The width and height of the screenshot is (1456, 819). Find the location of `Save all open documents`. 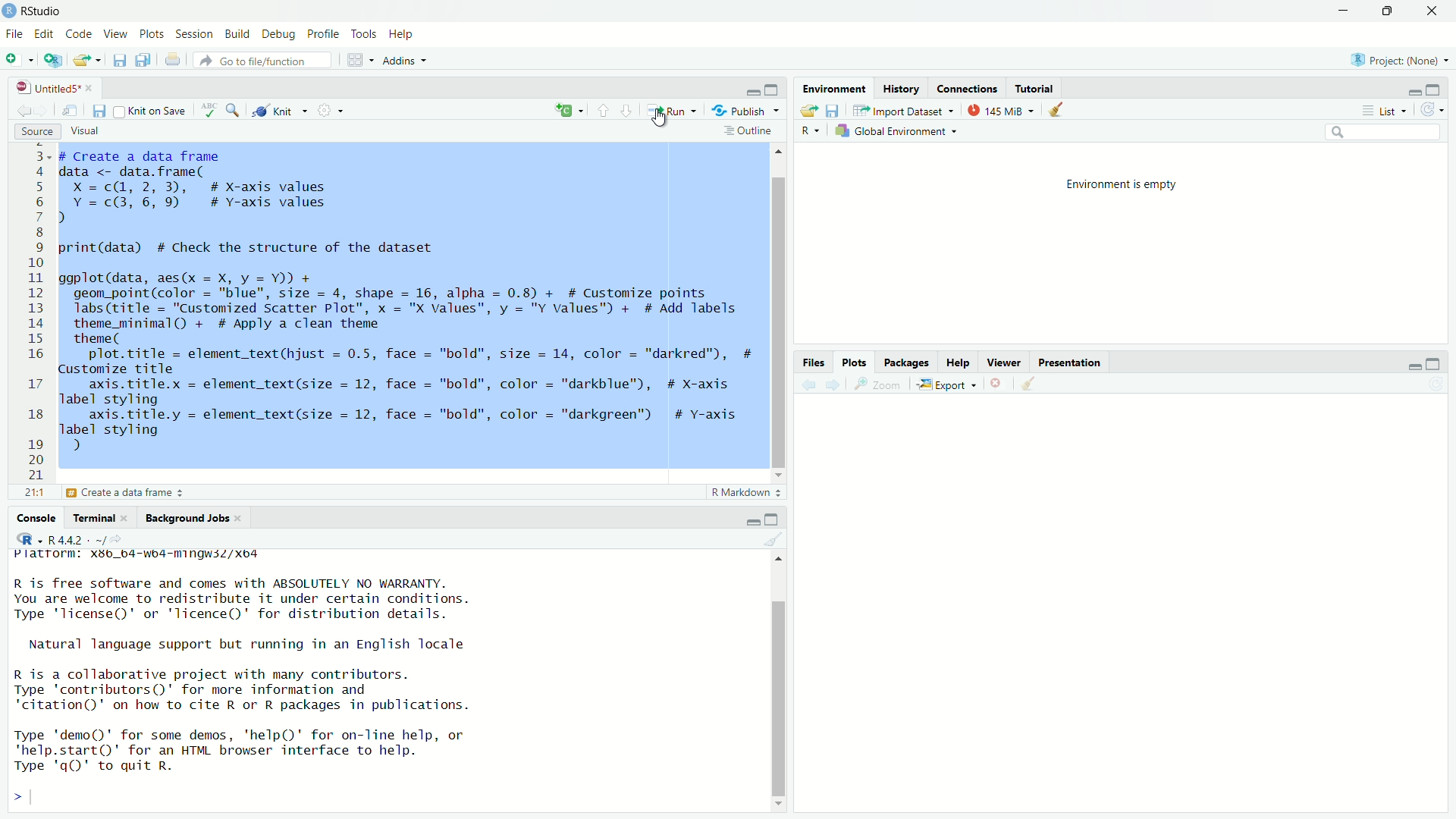

Save all open documents is located at coordinates (144, 60).